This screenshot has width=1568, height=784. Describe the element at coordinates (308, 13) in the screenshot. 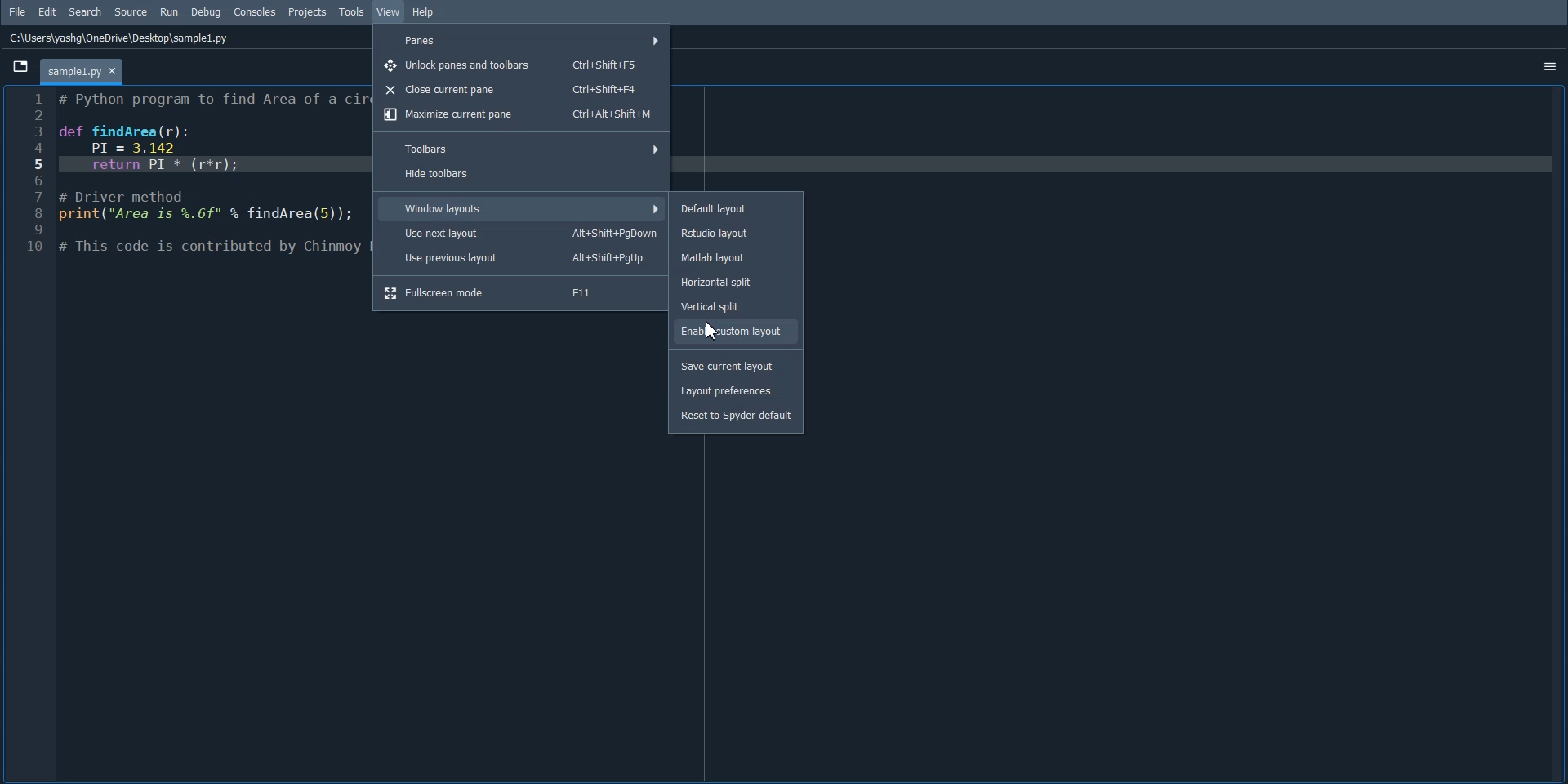

I see `Projects` at that location.